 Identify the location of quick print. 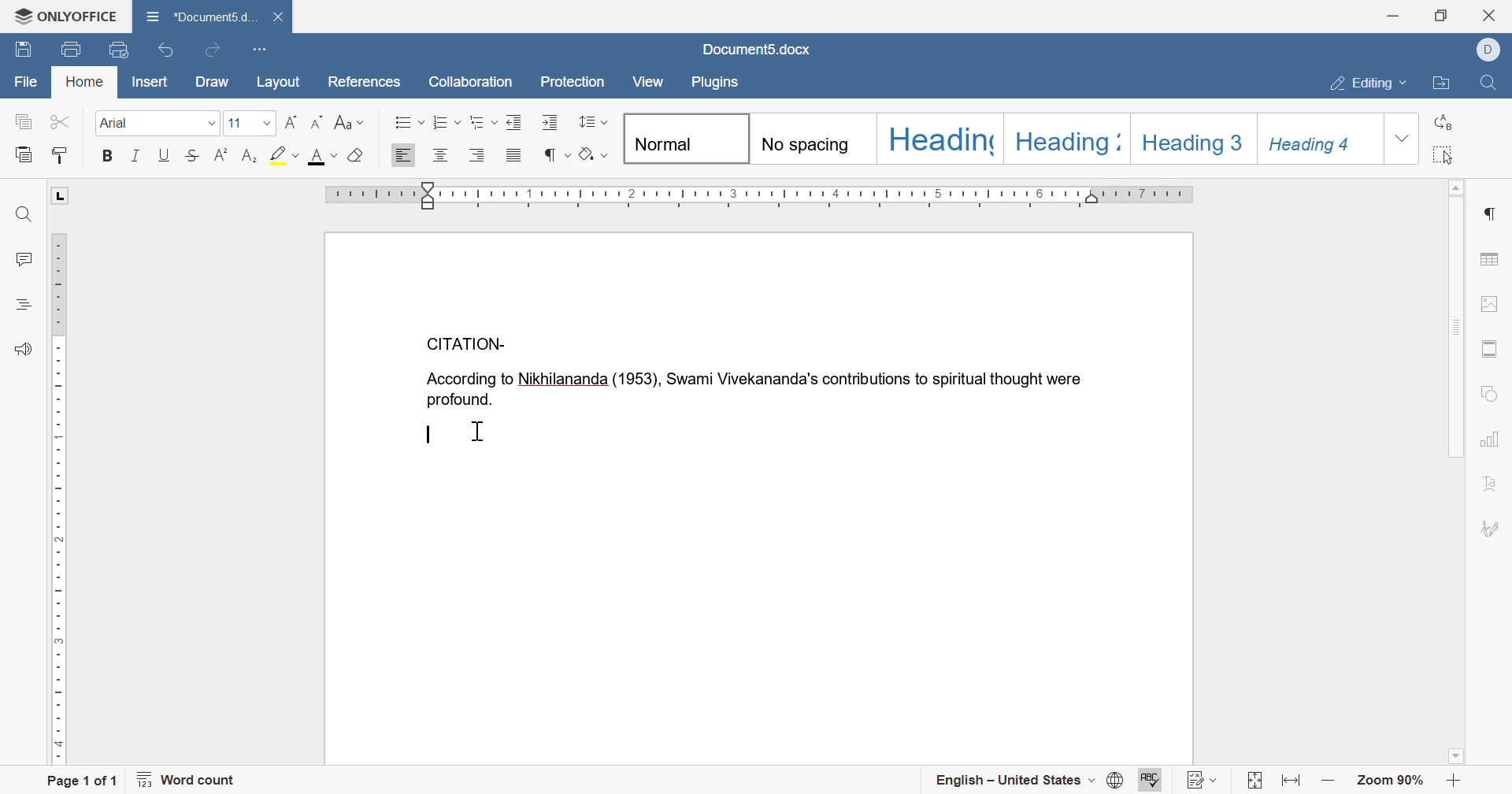
(116, 50).